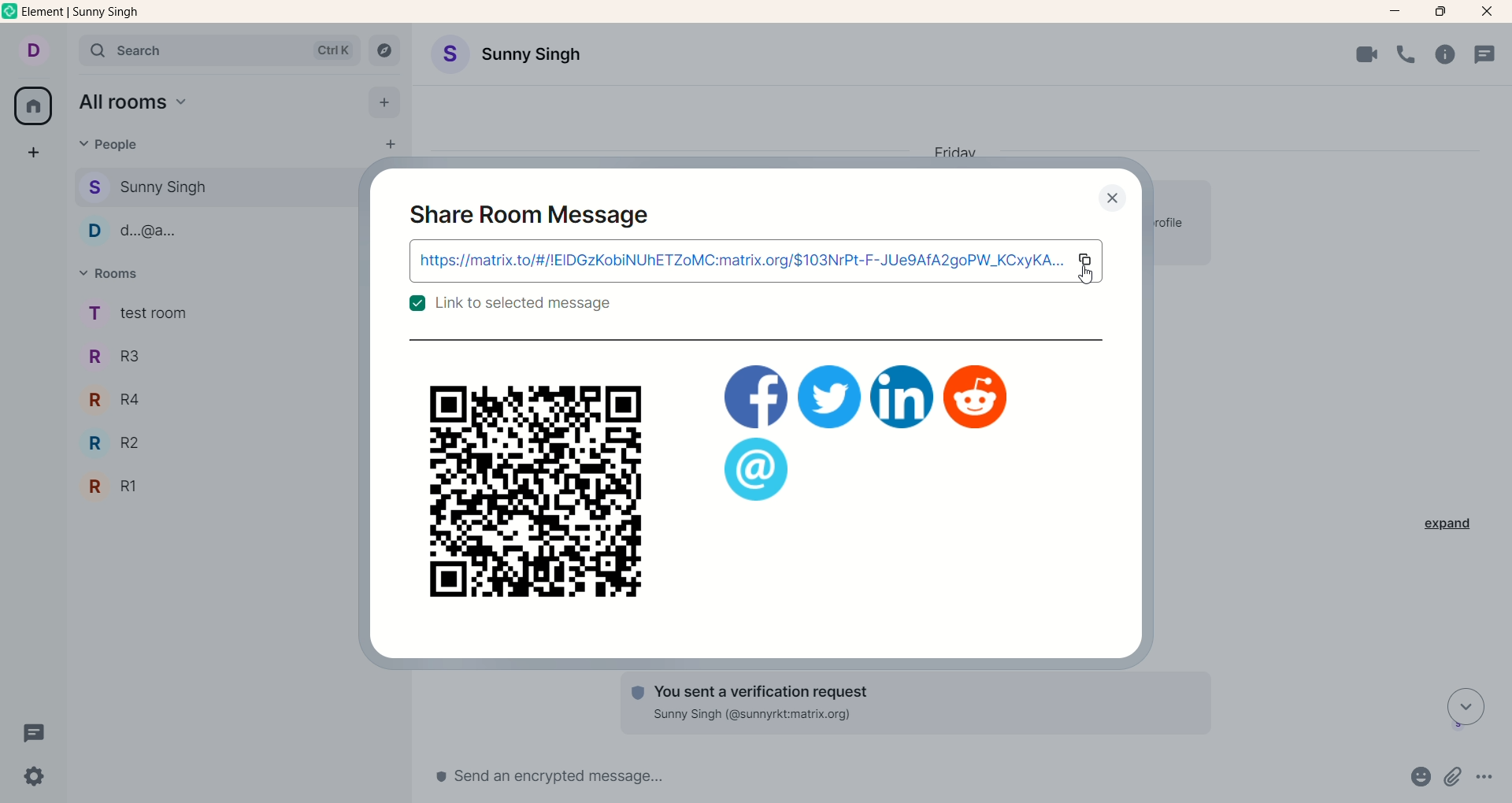 The width and height of the screenshot is (1512, 803). I want to click on explore rooms, so click(385, 52).